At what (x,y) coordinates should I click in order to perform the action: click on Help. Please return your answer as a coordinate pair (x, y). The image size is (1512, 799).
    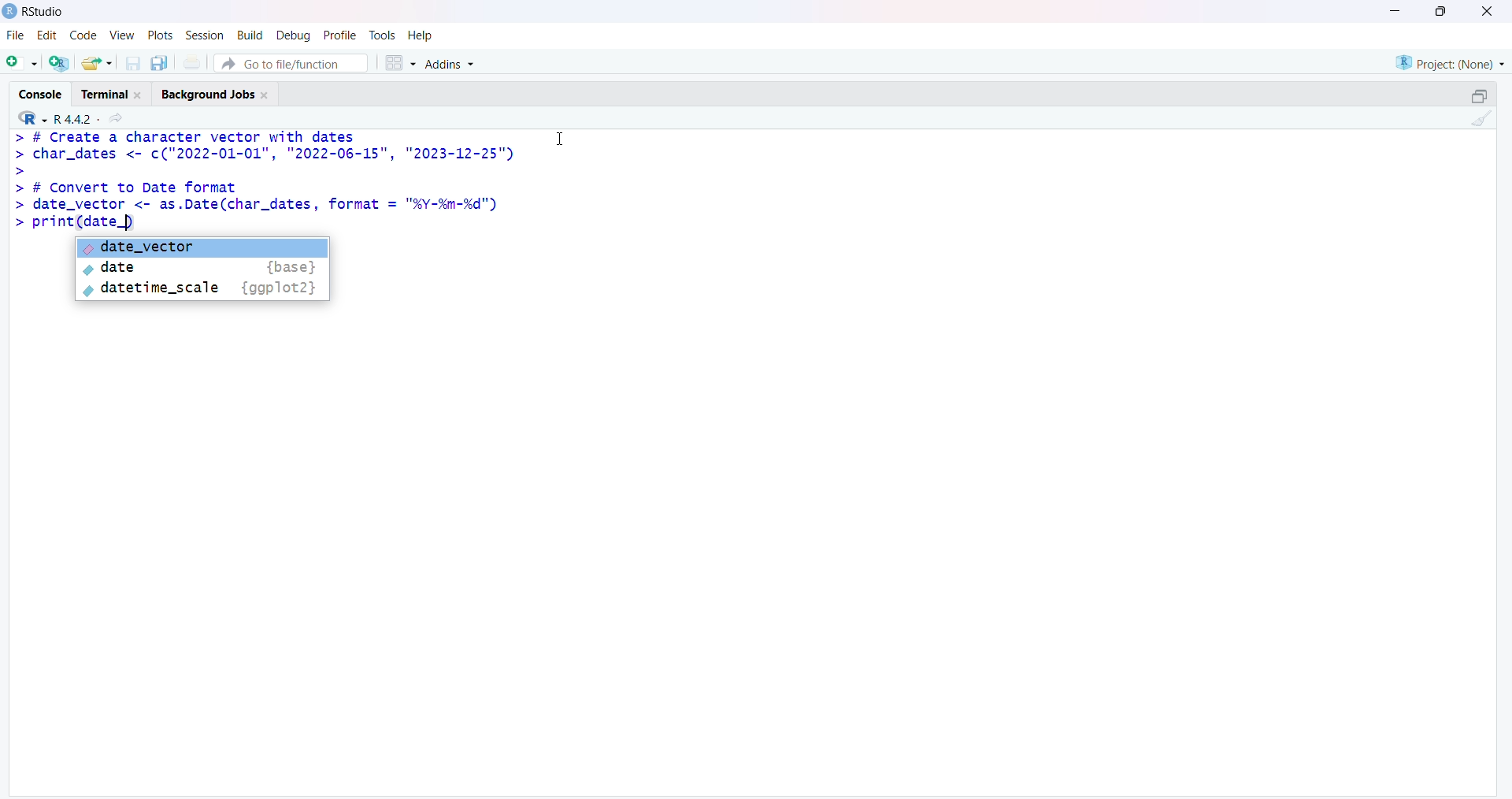
    Looking at the image, I should click on (421, 35).